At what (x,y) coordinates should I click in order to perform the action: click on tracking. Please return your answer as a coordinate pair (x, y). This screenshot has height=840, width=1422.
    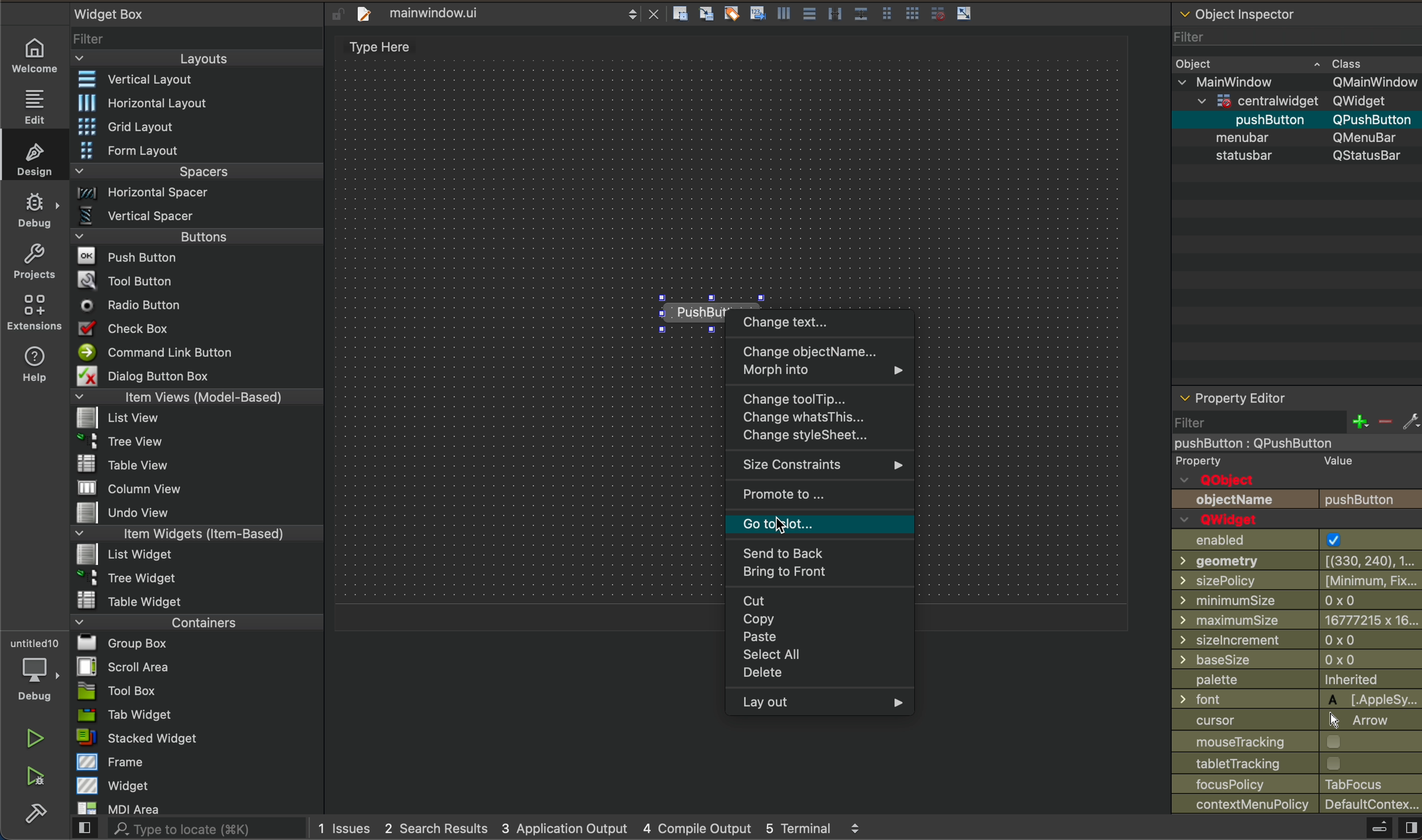
    Looking at the image, I should click on (1297, 764).